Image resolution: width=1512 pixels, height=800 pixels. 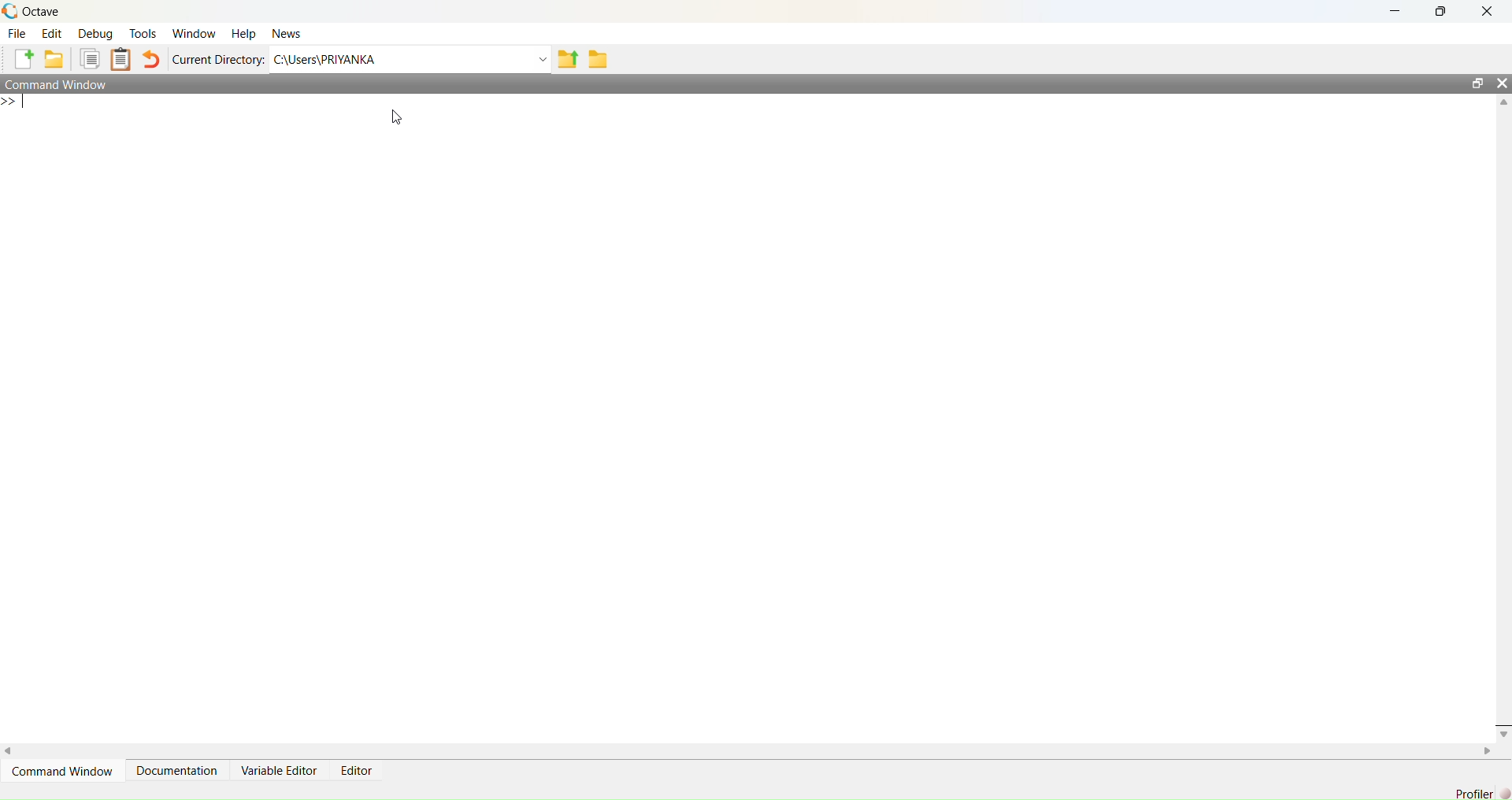 What do you see at coordinates (18, 103) in the screenshot?
I see `Prompt cursor` at bounding box center [18, 103].